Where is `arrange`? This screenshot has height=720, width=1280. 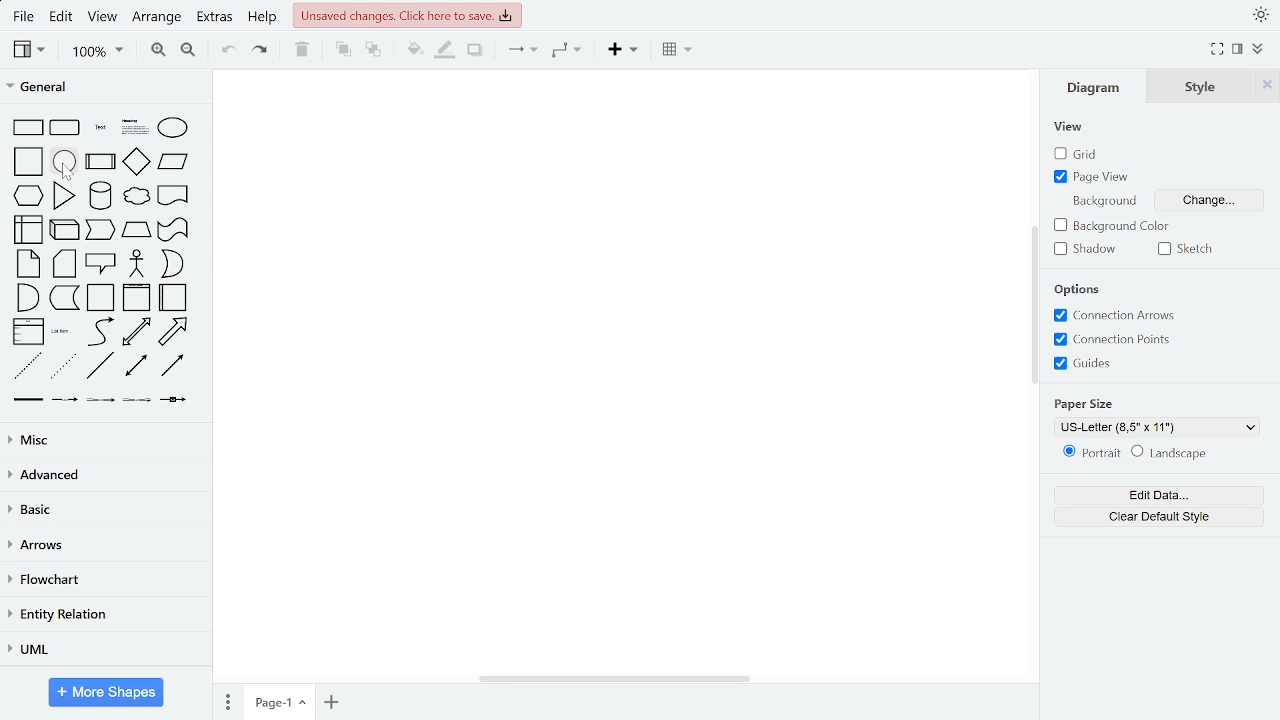
arrange is located at coordinates (156, 20).